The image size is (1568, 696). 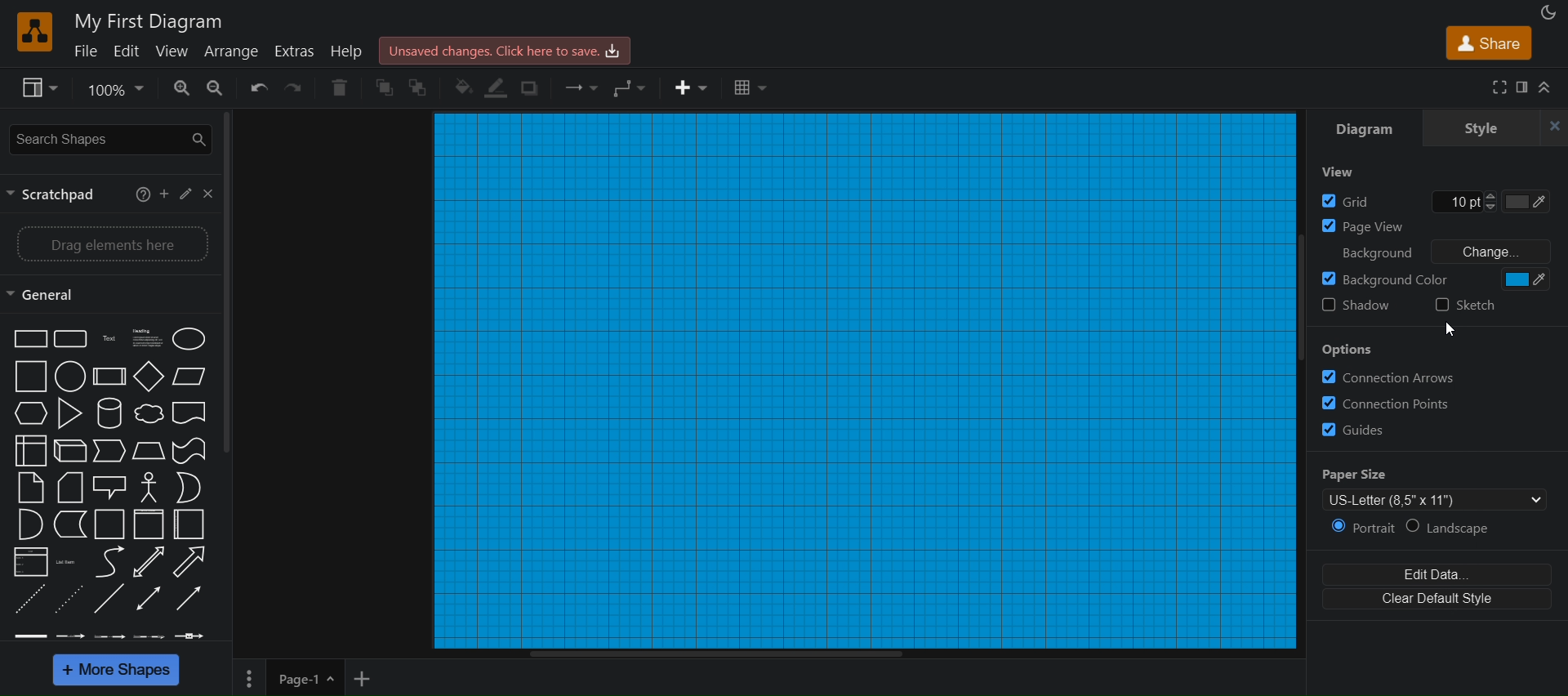 What do you see at coordinates (425, 85) in the screenshot?
I see `to back` at bounding box center [425, 85].